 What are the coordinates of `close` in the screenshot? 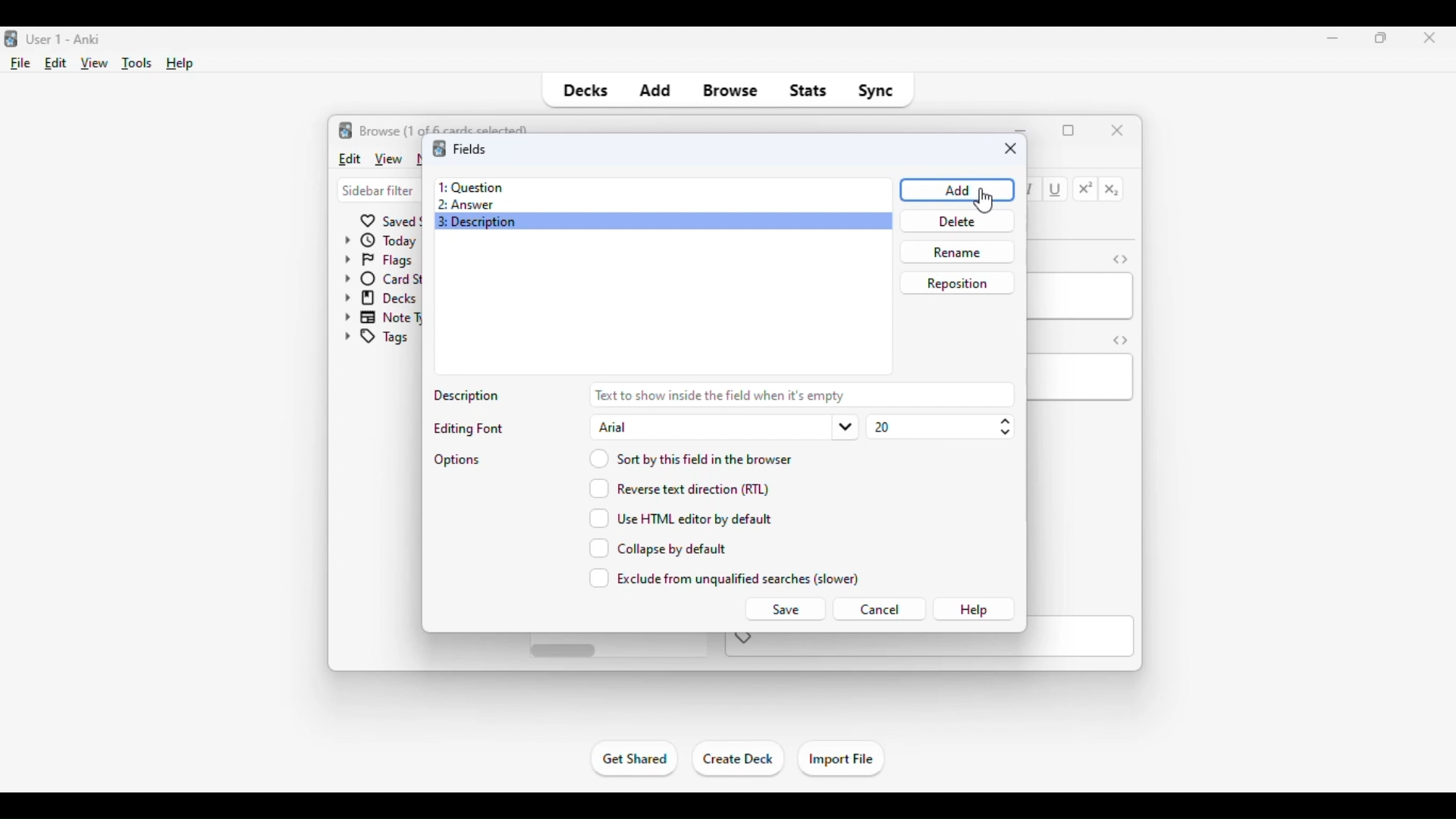 It's located at (1118, 129).